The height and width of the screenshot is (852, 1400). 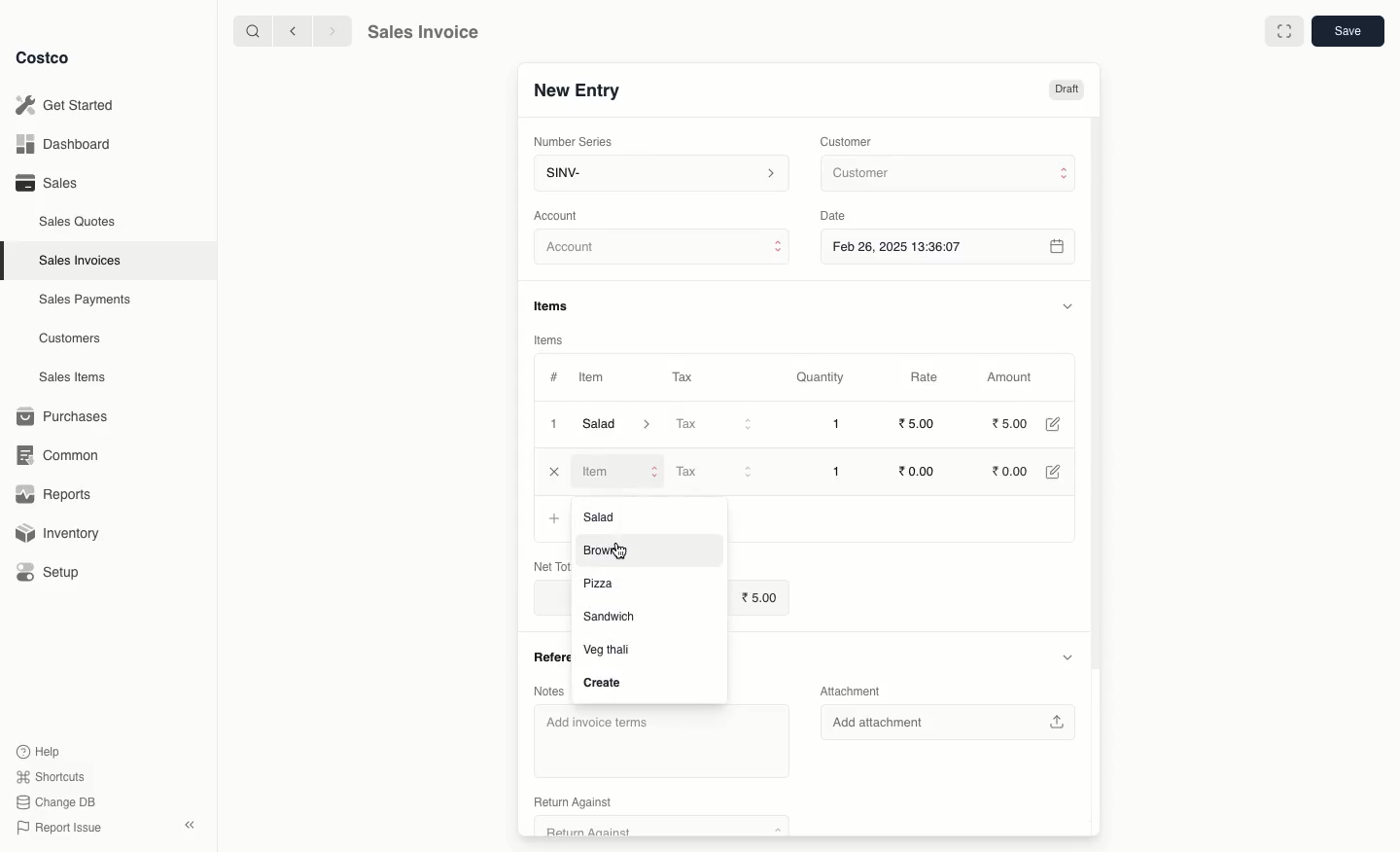 I want to click on 5.00, so click(x=1010, y=423).